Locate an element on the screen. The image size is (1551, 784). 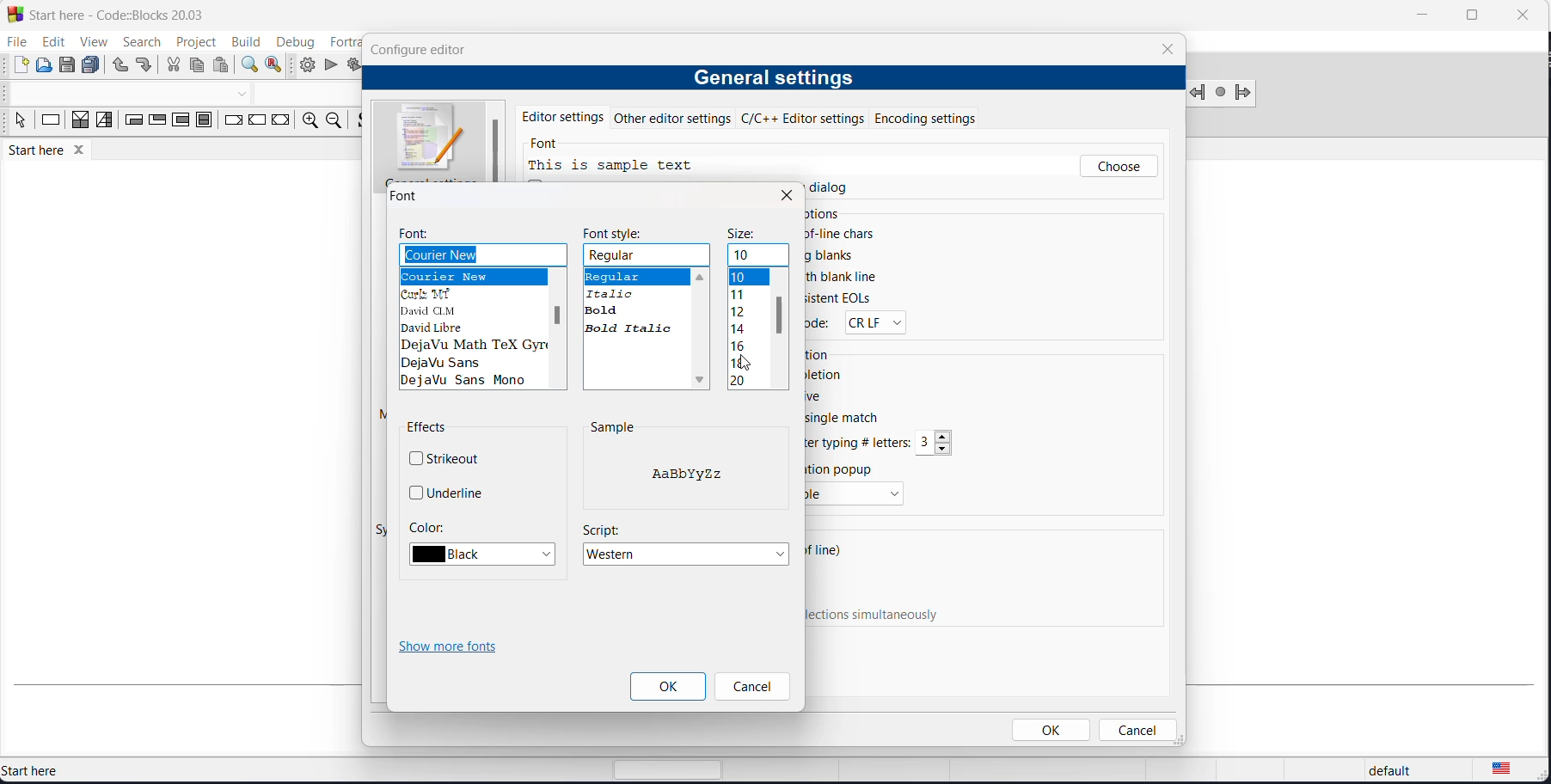
move downwards is located at coordinates (702, 382).